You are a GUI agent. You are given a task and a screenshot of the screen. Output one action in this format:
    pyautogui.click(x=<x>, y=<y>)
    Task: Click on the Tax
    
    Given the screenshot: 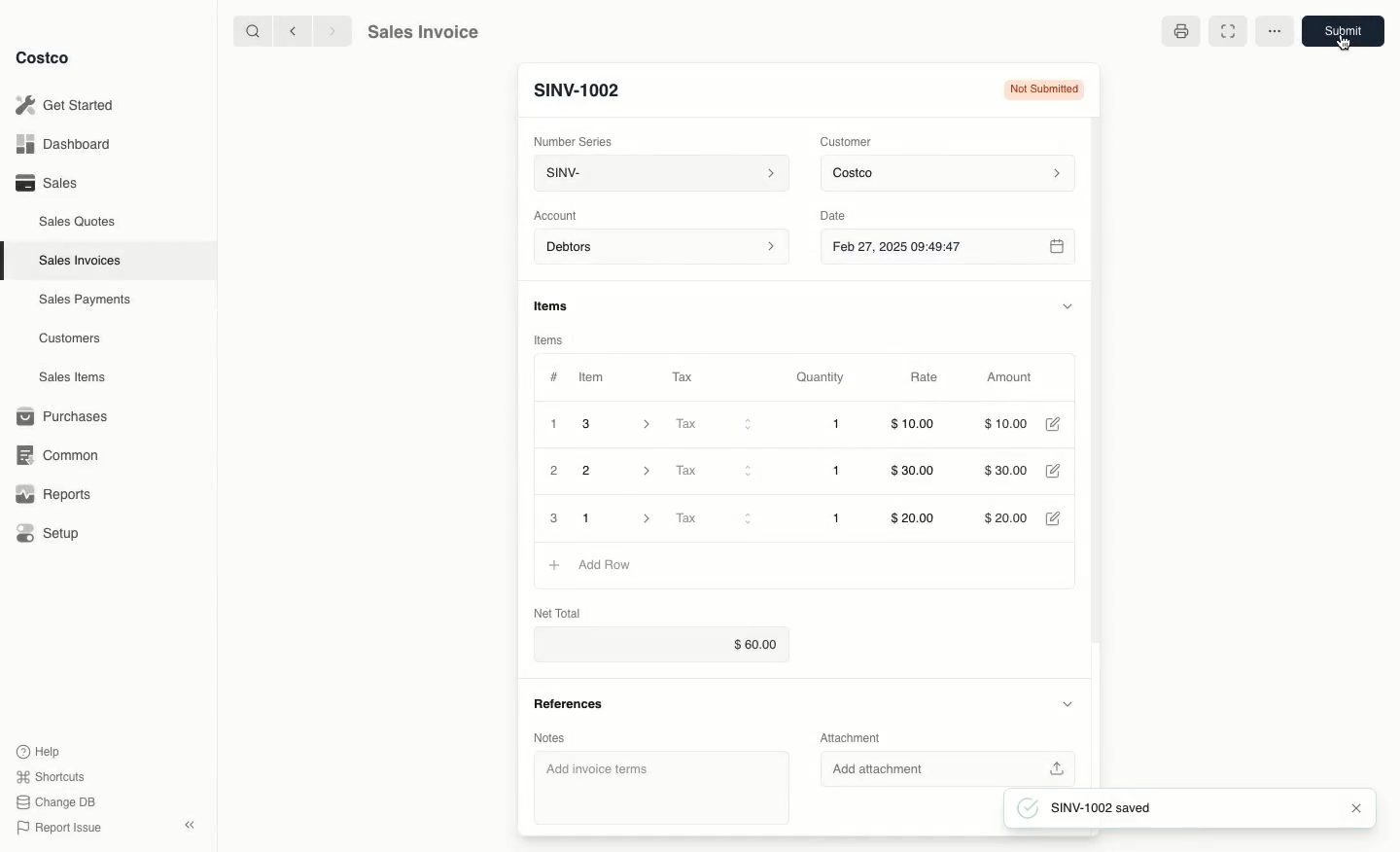 What is the action you would take?
    pyautogui.click(x=713, y=425)
    